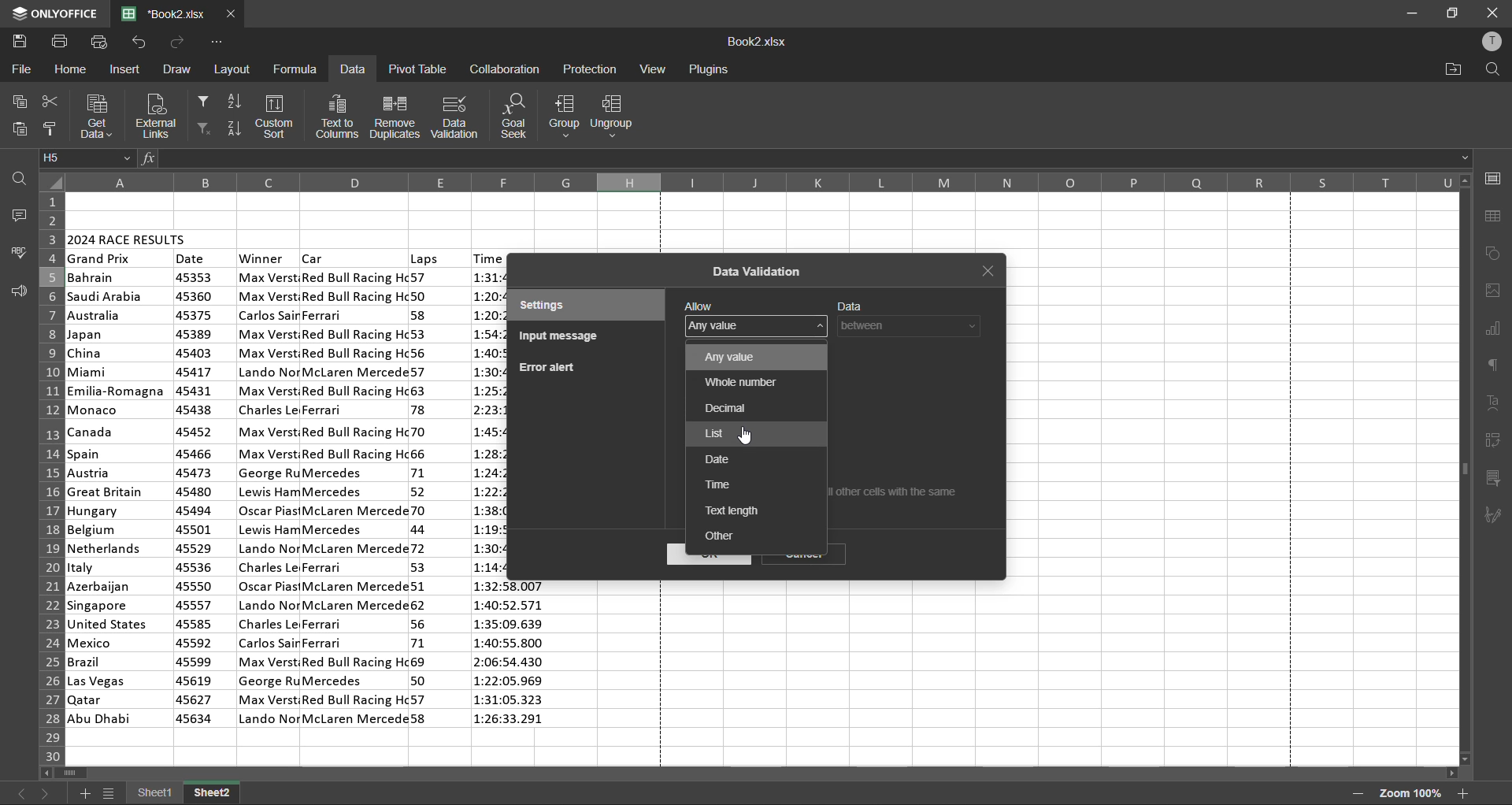 This screenshot has width=1512, height=805. Describe the element at coordinates (751, 775) in the screenshot. I see `scrollbar` at that location.